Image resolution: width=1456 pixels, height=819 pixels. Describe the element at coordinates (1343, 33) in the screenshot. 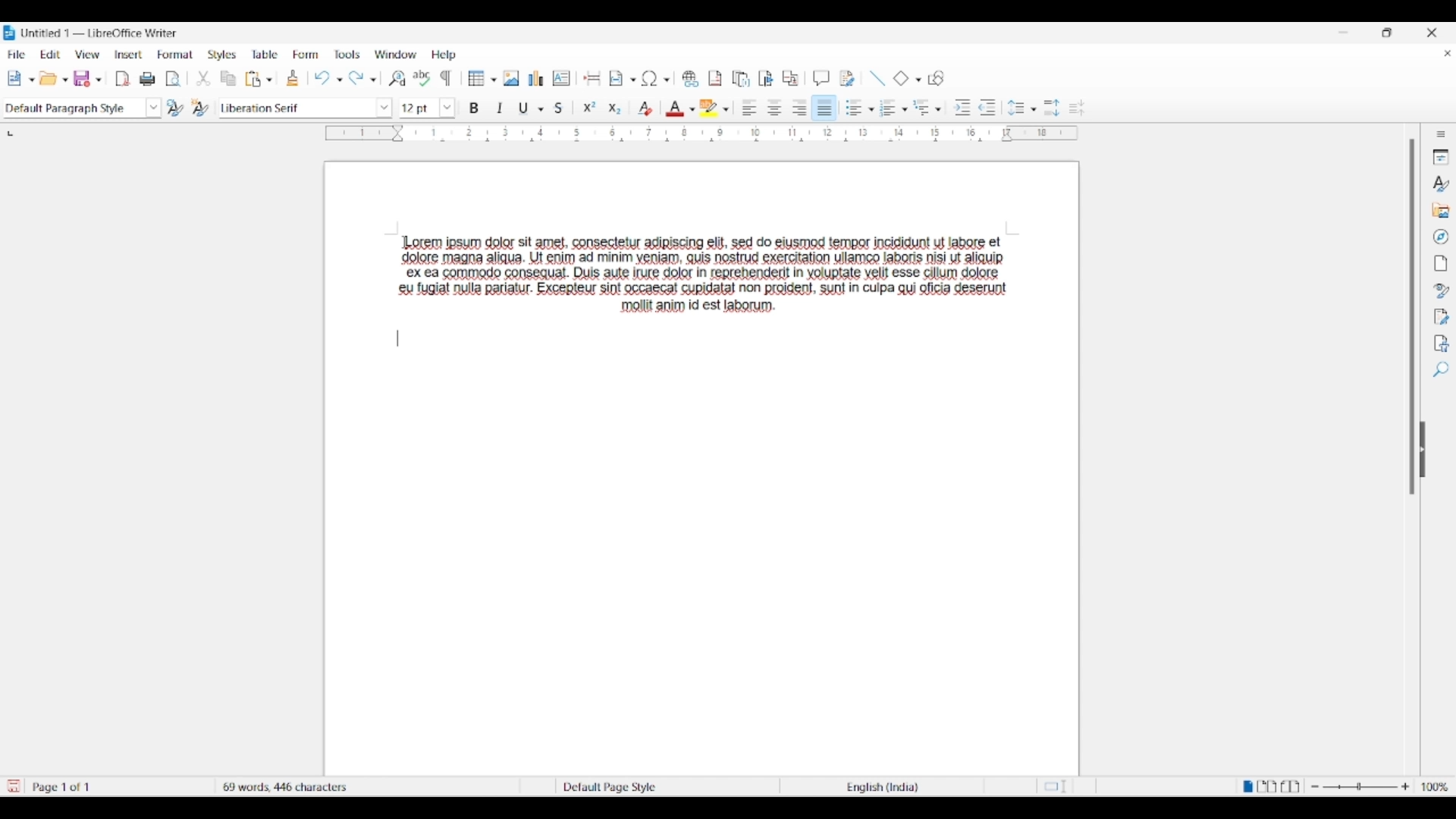

I see `Minimize` at that location.